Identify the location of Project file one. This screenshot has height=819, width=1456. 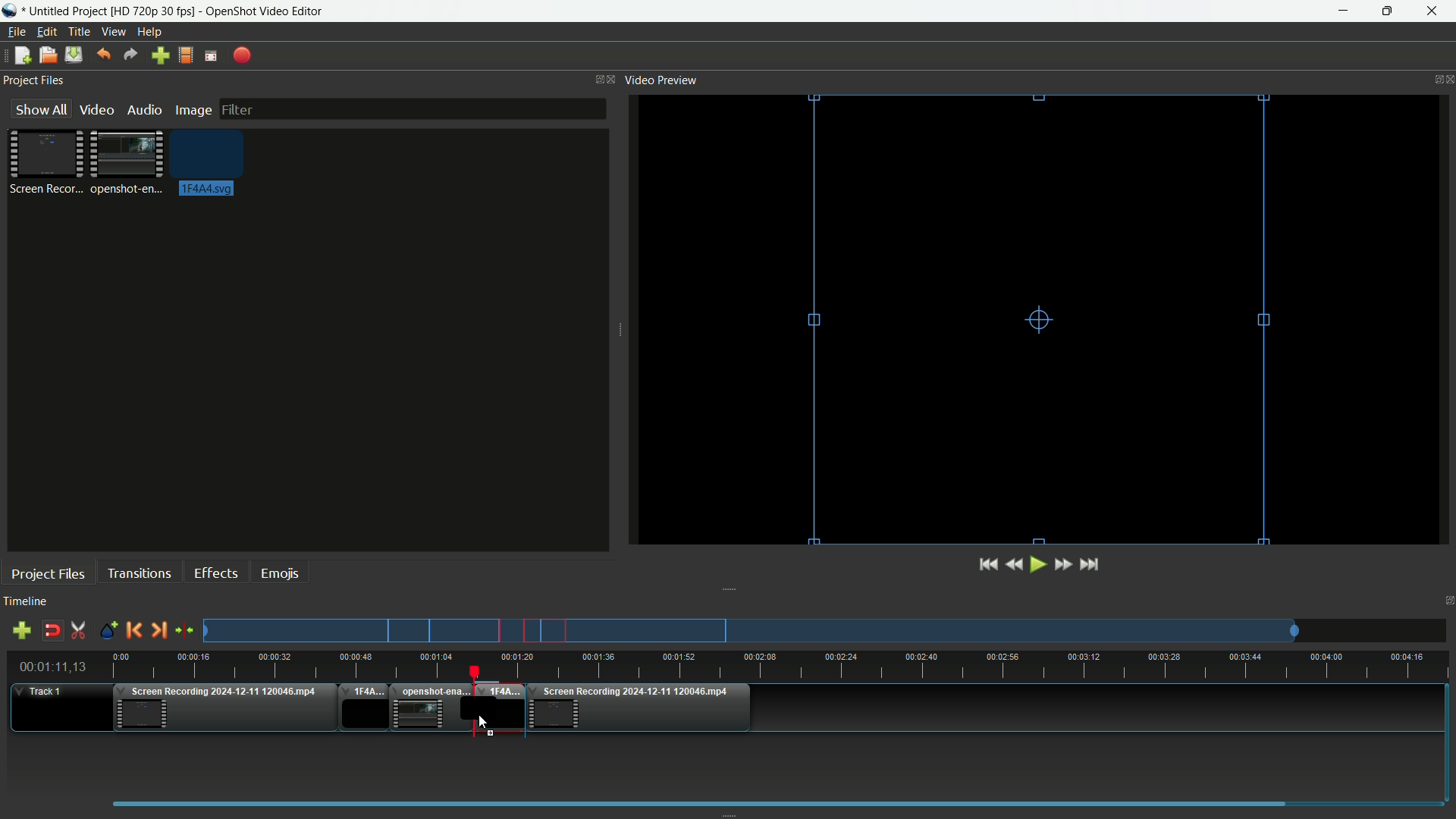
(49, 161).